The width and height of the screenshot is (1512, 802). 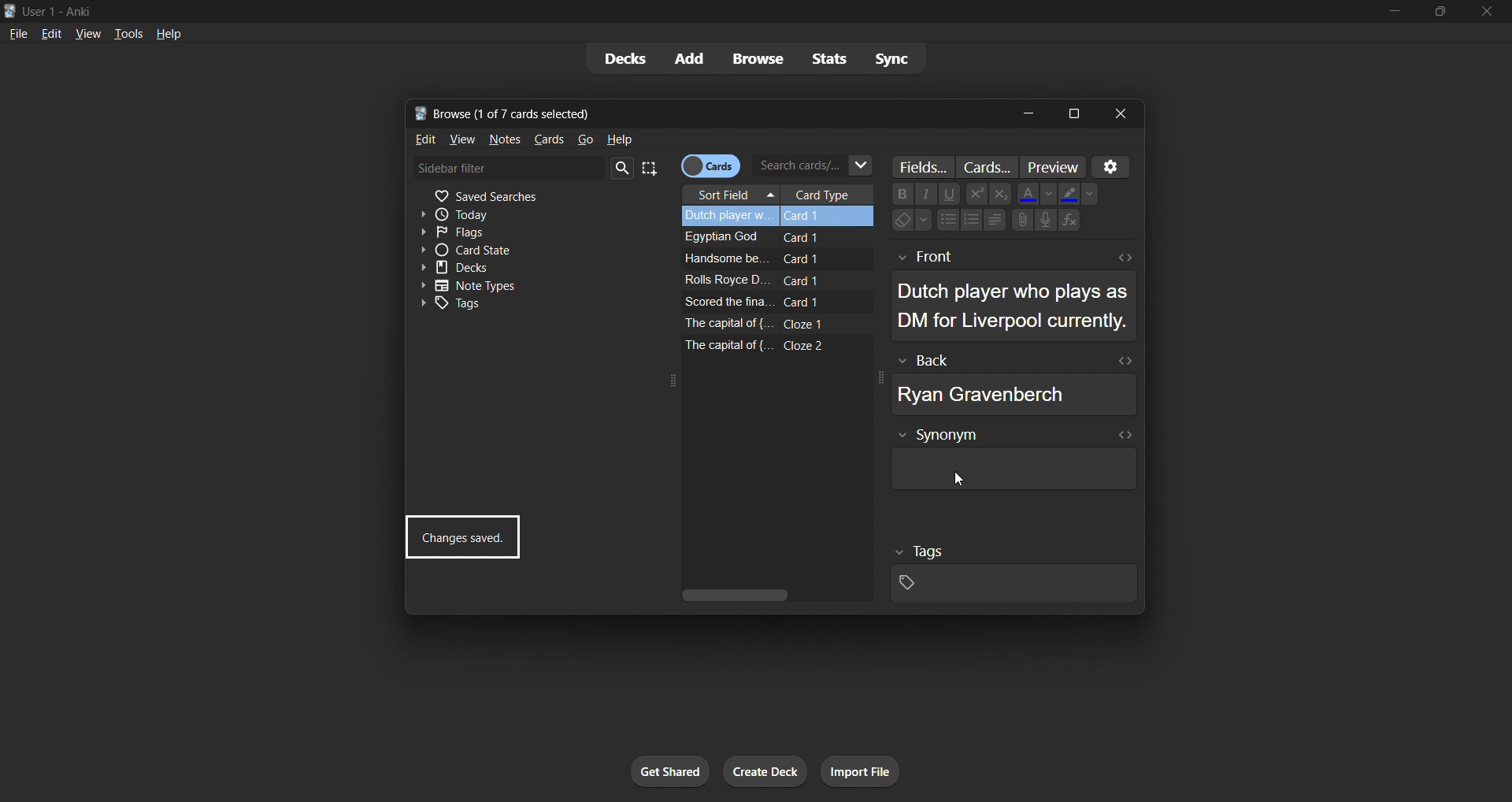 What do you see at coordinates (1438, 13) in the screenshot?
I see `maximize/restore` at bounding box center [1438, 13].